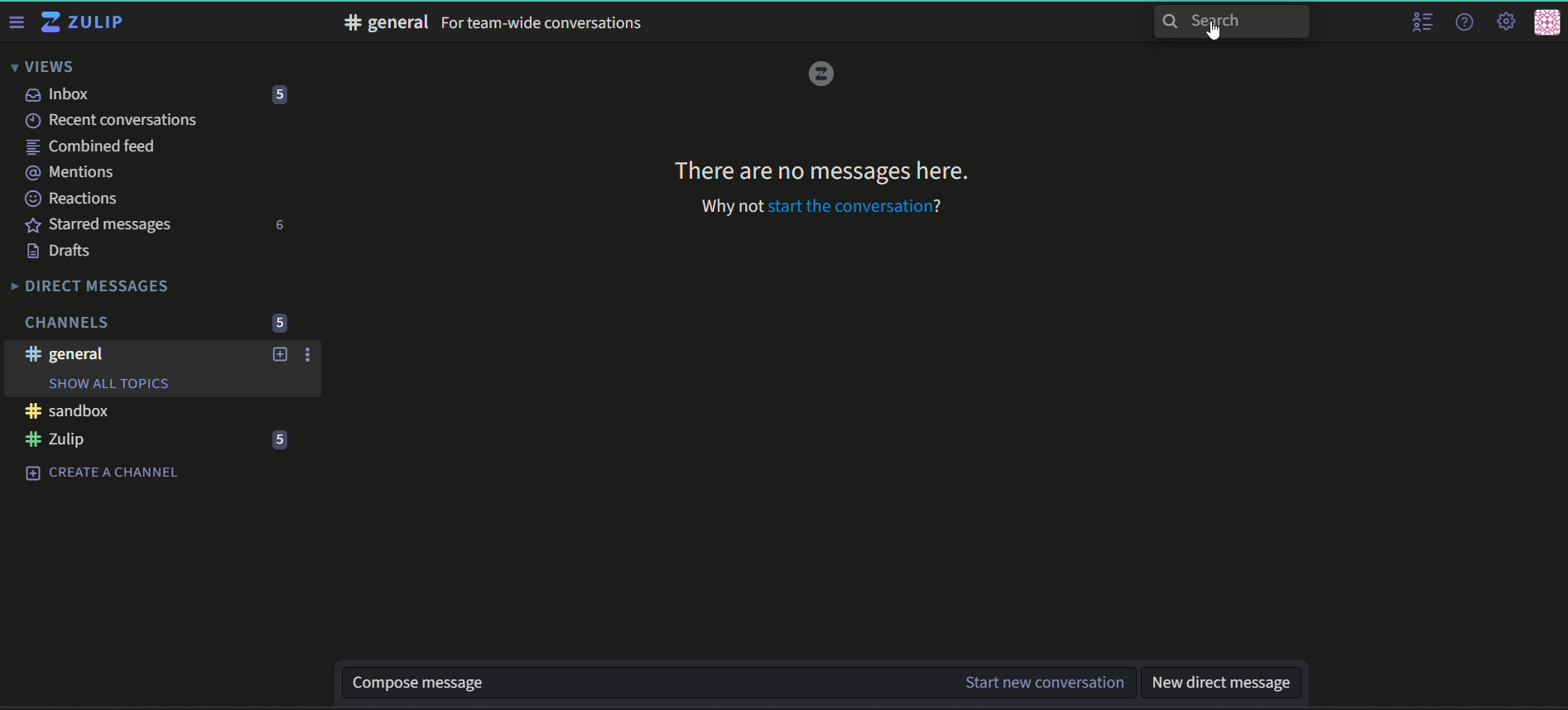 The image size is (1568, 710). What do you see at coordinates (281, 441) in the screenshot?
I see `number` at bounding box center [281, 441].